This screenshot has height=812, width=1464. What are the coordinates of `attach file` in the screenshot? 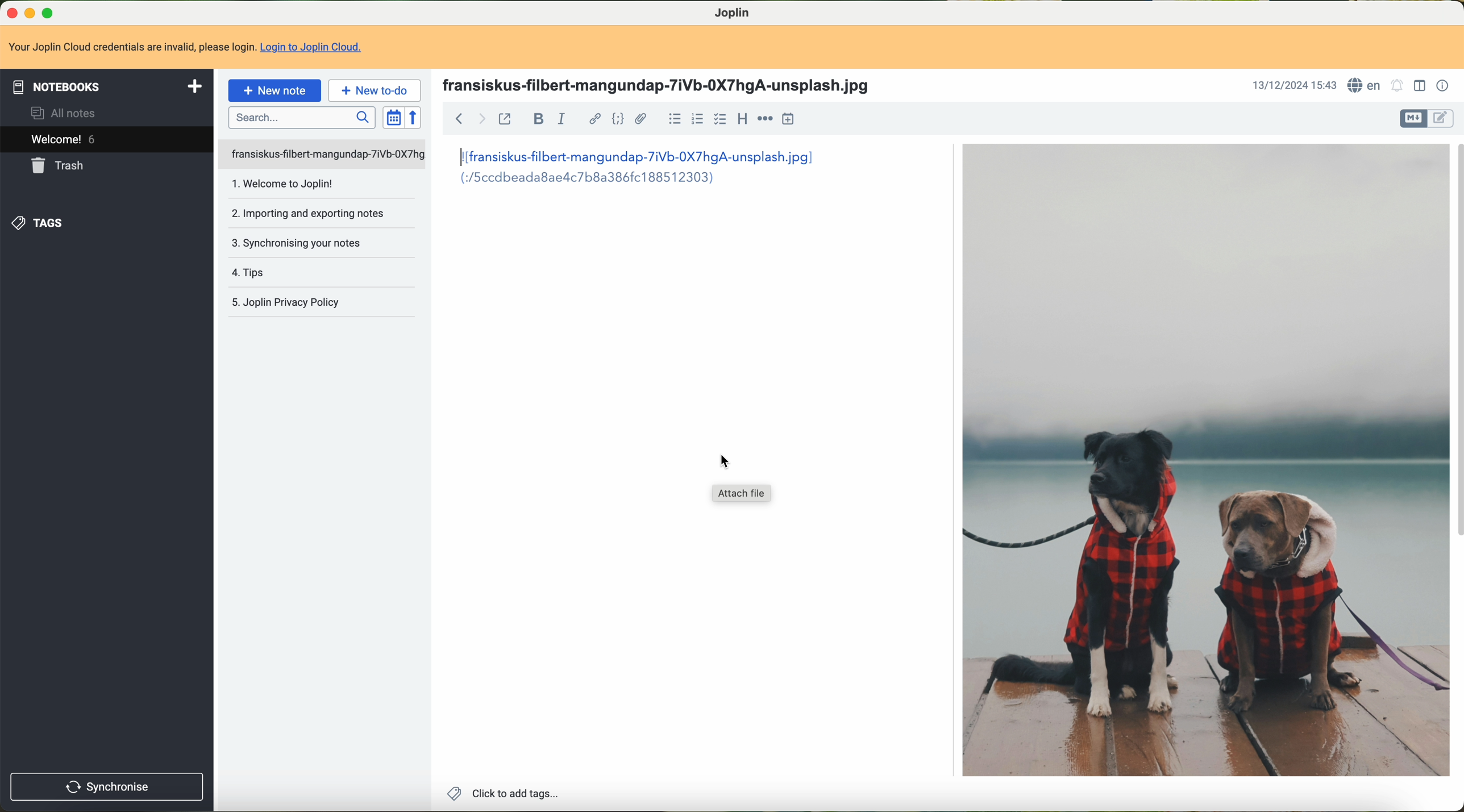 It's located at (743, 495).